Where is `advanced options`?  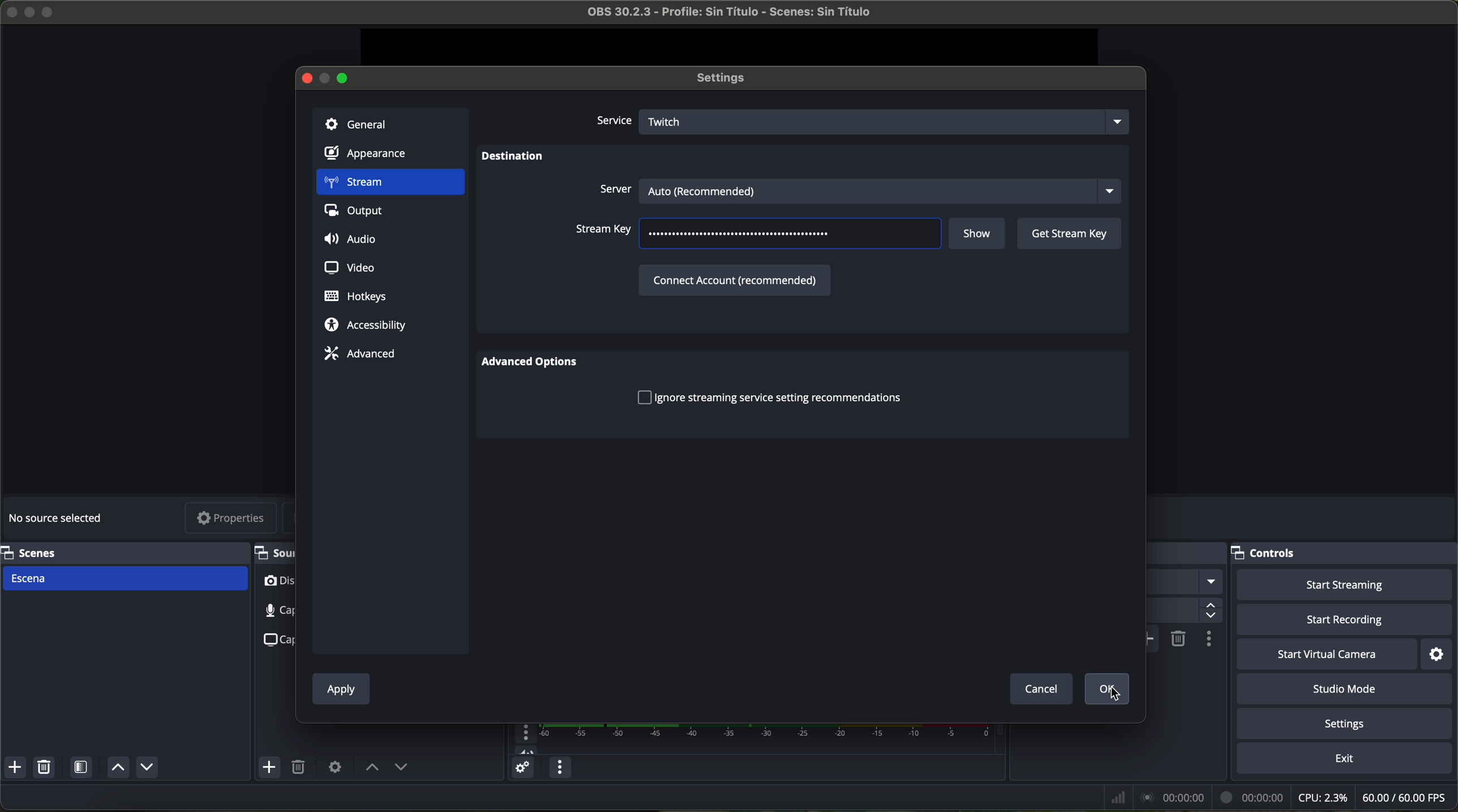 advanced options is located at coordinates (536, 363).